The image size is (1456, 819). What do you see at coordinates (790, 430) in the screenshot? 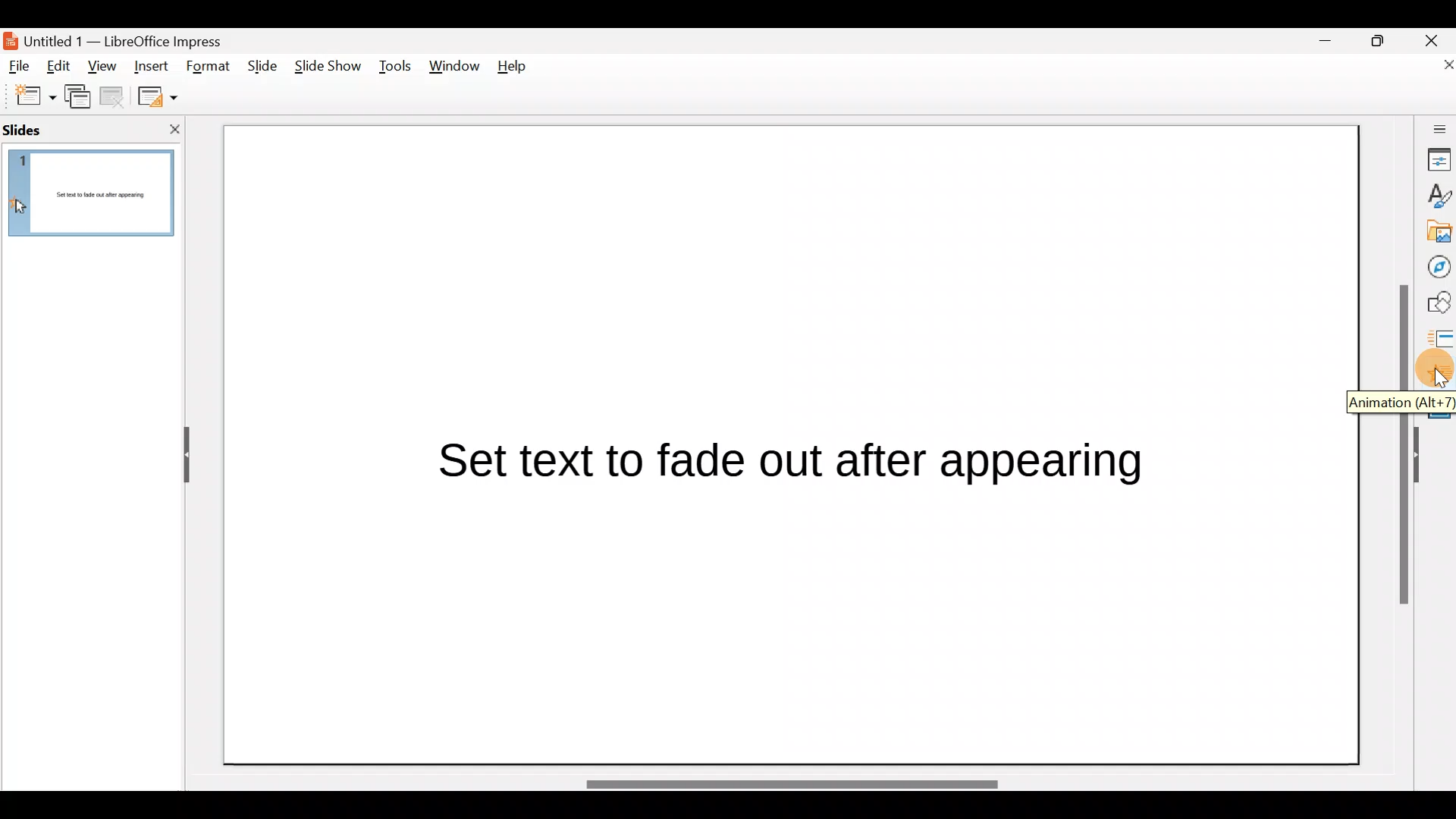
I see `Presentation slide` at bounding box center [790, 430].